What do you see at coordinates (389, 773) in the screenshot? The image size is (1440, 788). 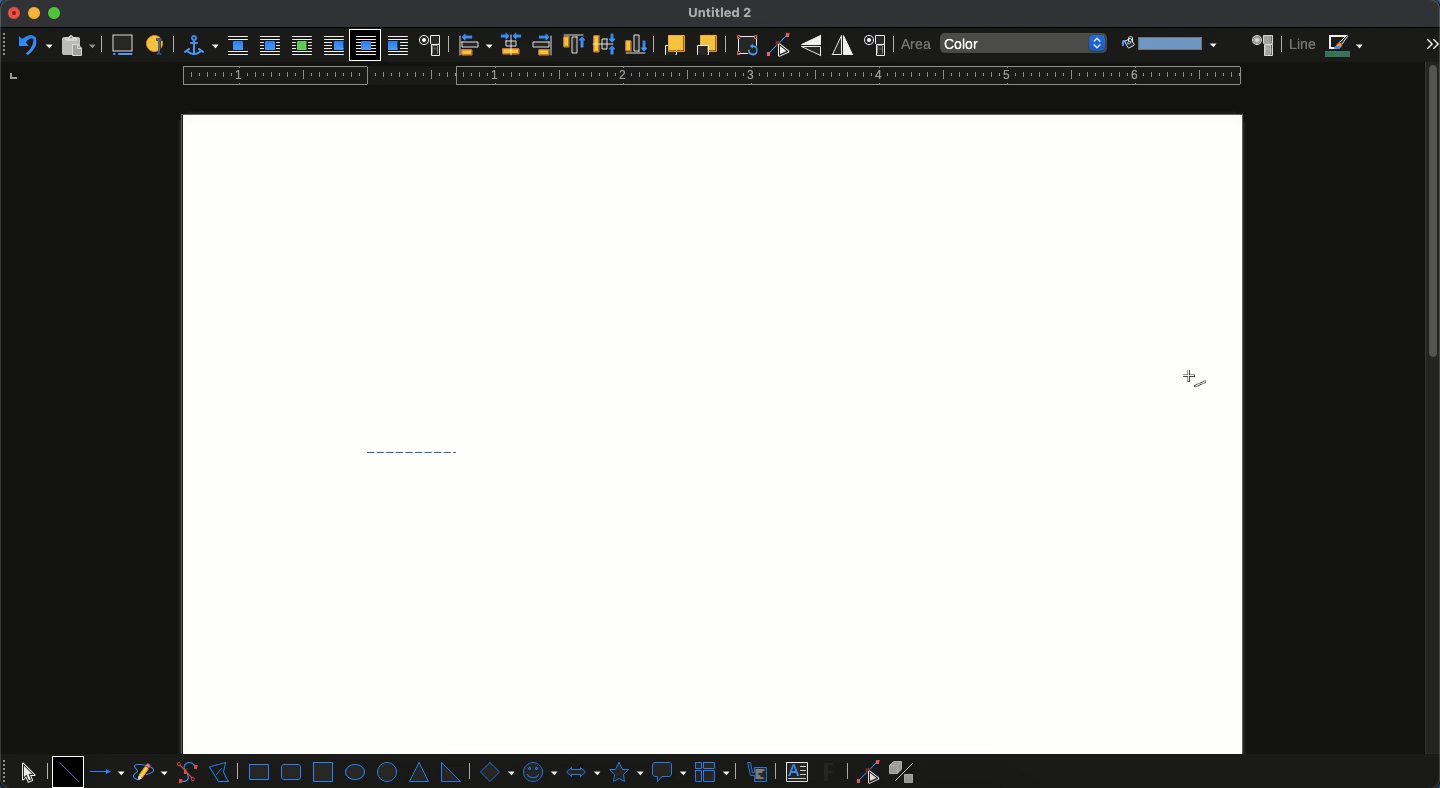 I see `circle` at bounding box center [389, 773].